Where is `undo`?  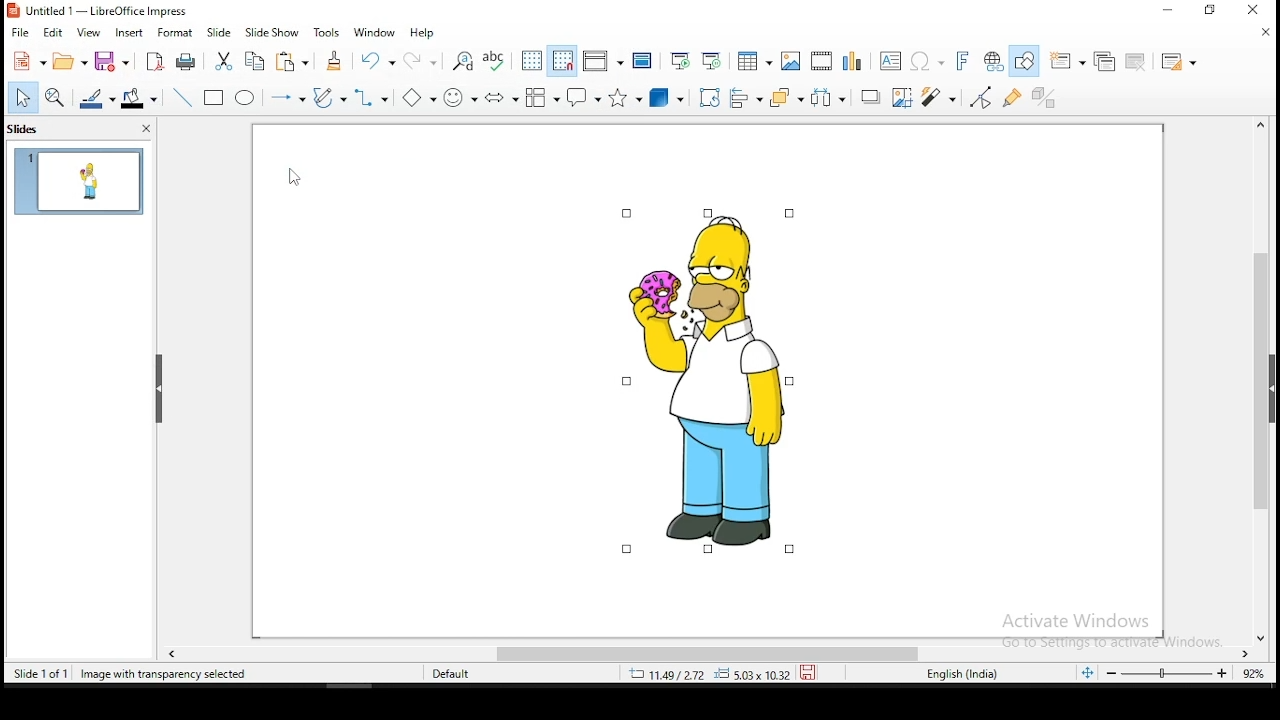 undo is located at coordinates (379, 60).